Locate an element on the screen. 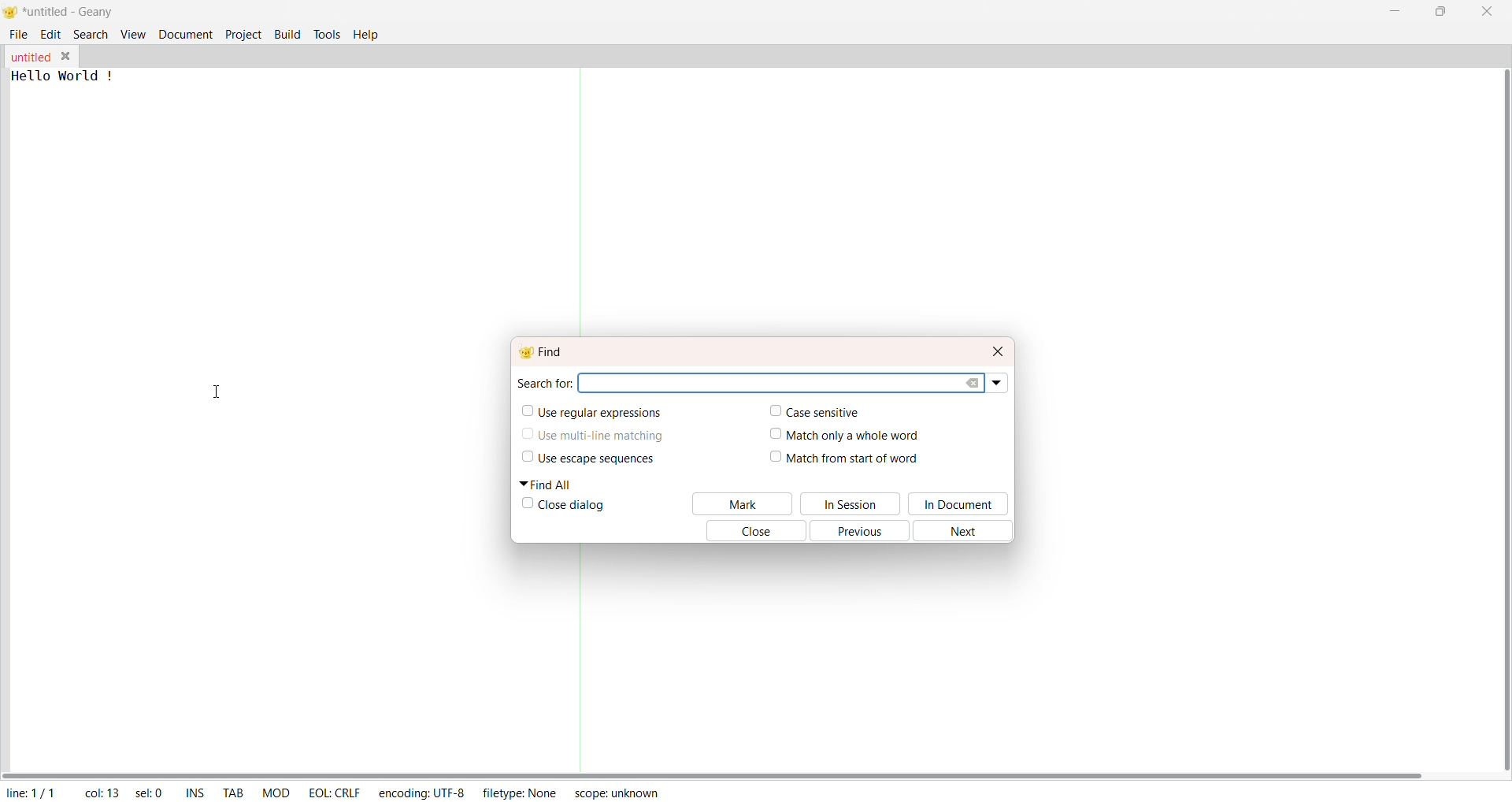 Image resolution: width=1512 pixels, height=802 pixels. Encoding is located at coordinates (421, 791).